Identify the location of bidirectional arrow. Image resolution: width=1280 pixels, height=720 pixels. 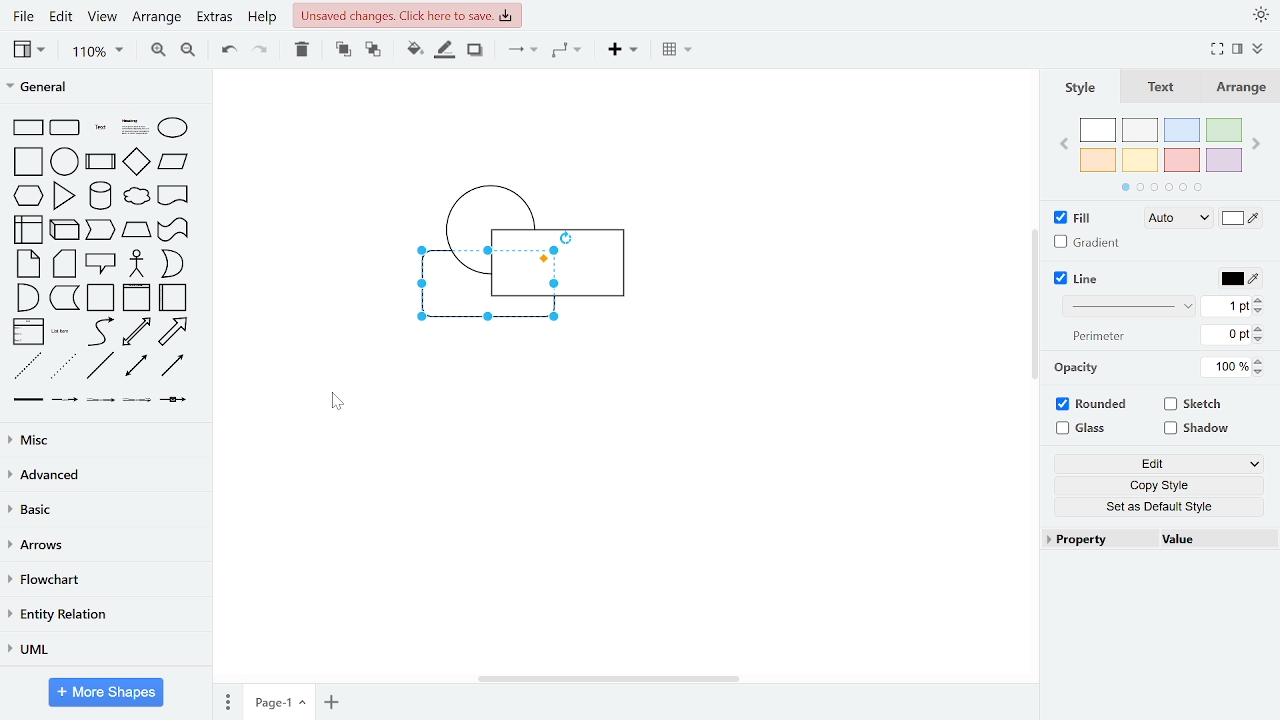
(137, 333).